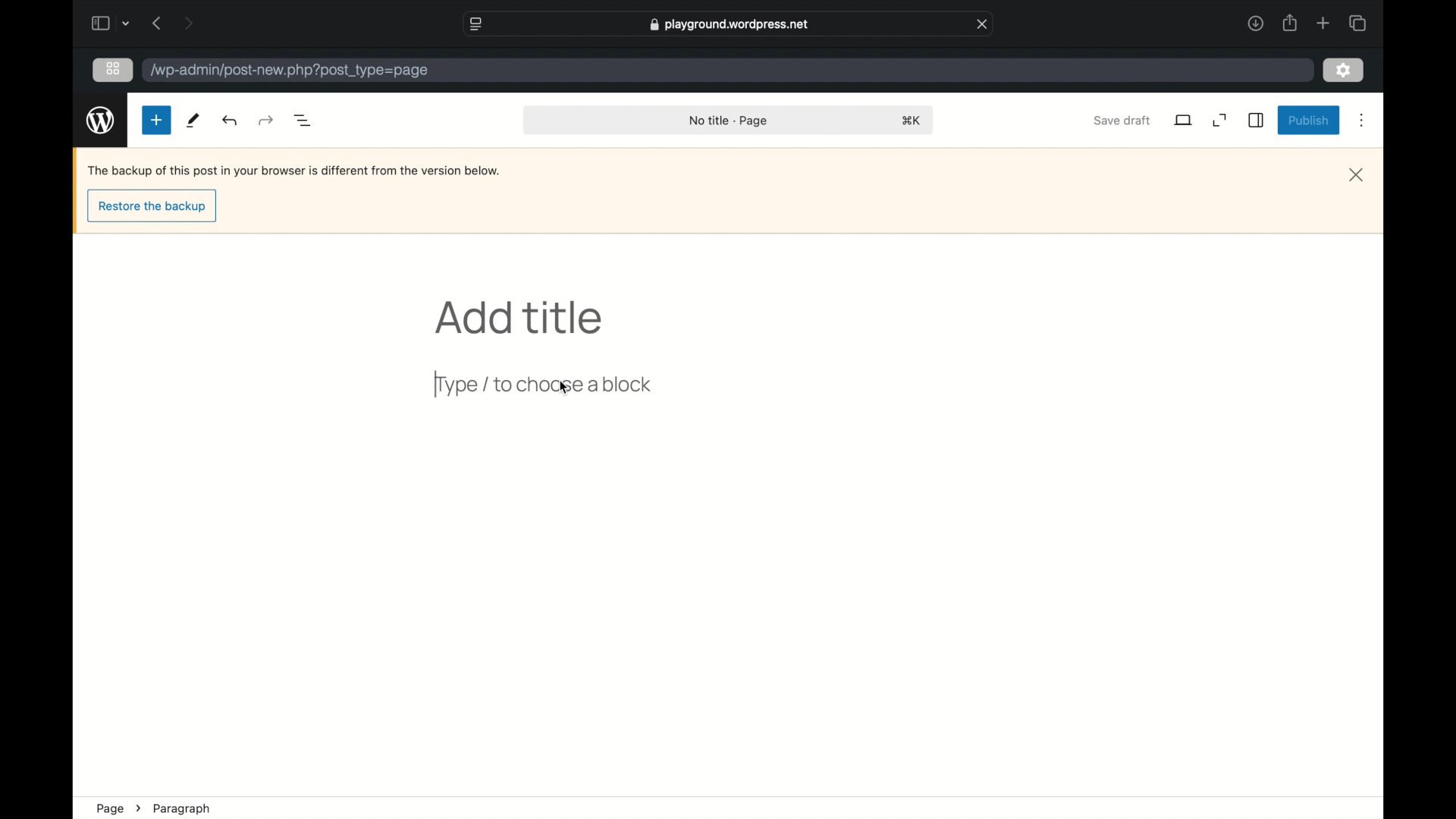  Describe the element at coordinates (1291, 23) in the screenshot. I see `share` at that location.